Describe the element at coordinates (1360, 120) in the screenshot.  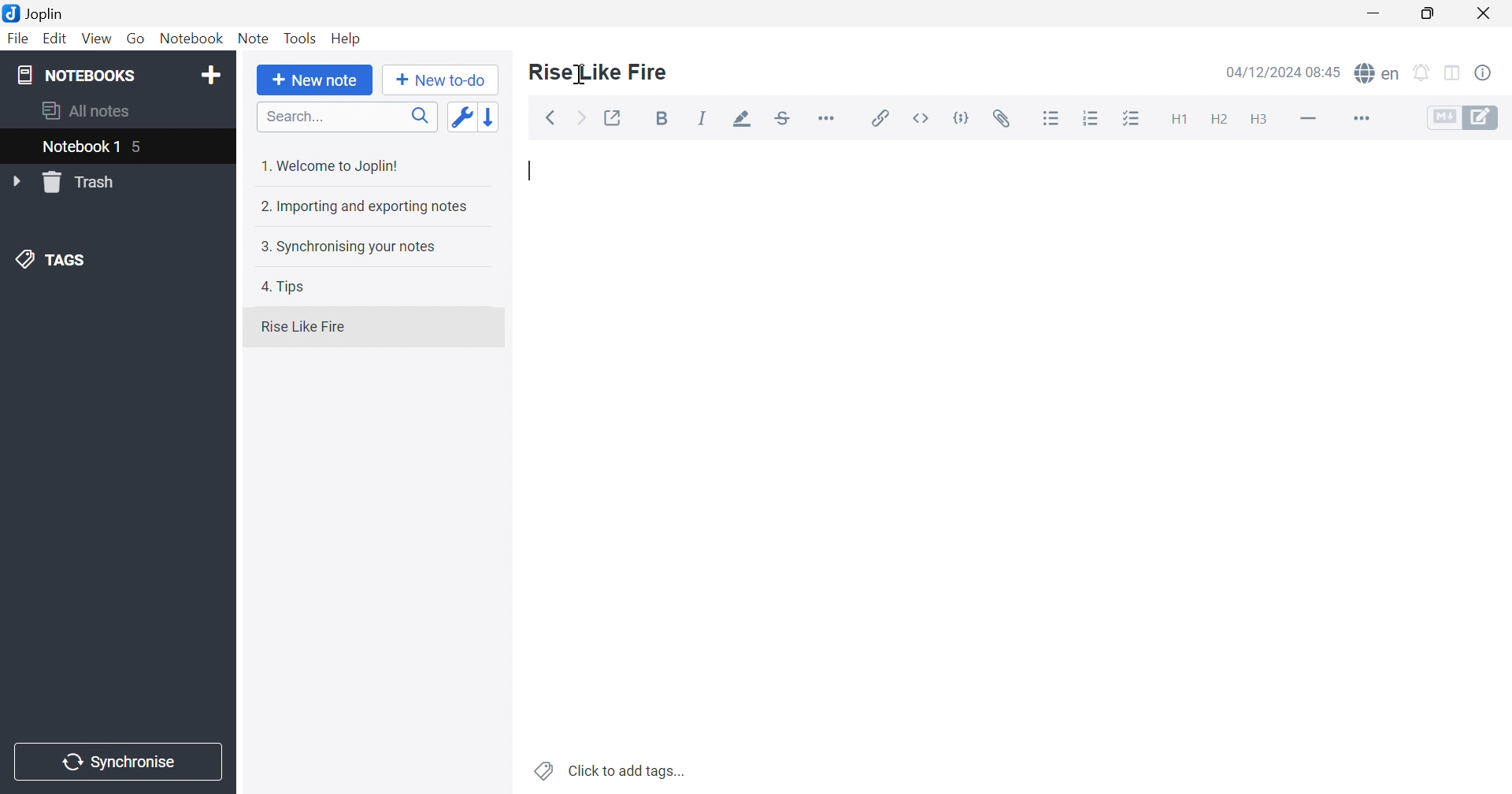
I see `More` at that location.